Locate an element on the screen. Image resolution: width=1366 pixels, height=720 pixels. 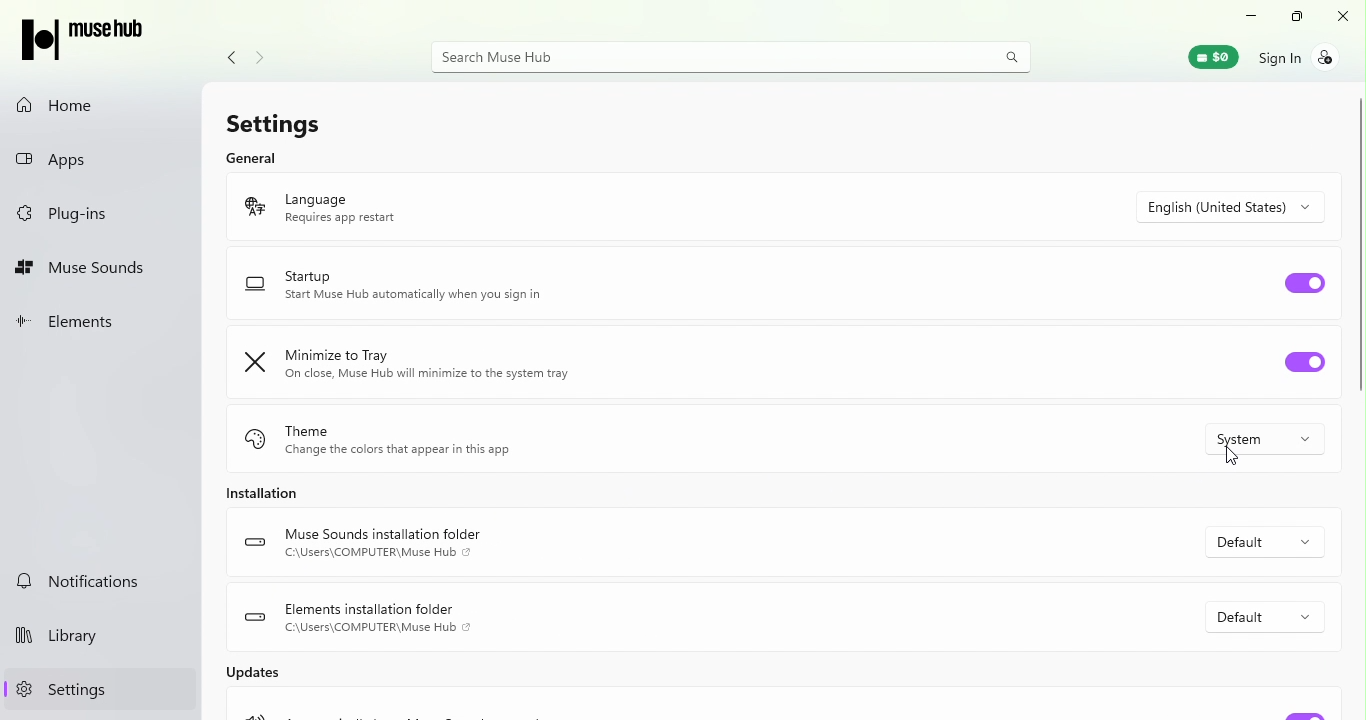
Settings  is located at coordinates (267, 118).